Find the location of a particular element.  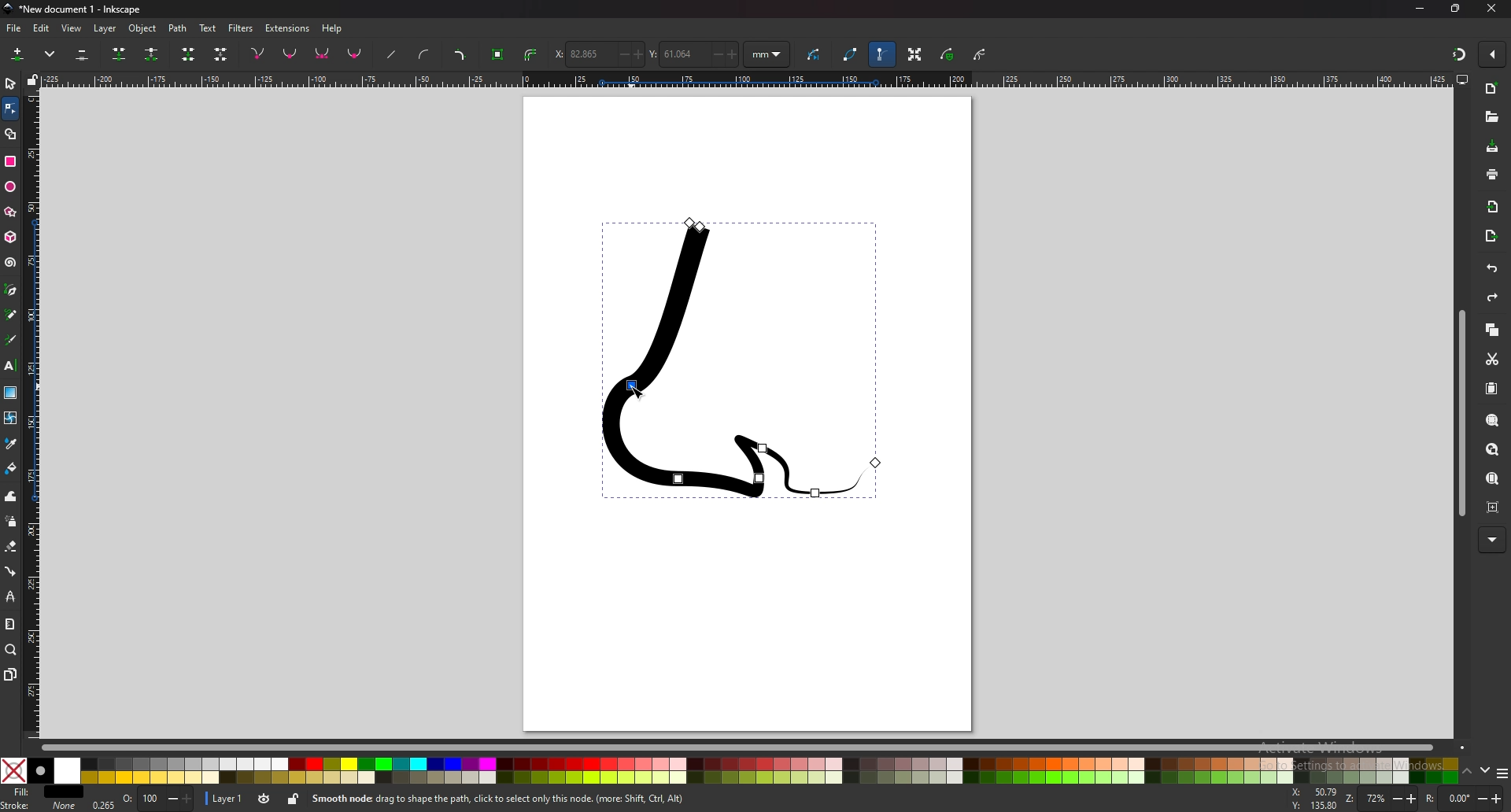

file is located at coordinates (14, 28).